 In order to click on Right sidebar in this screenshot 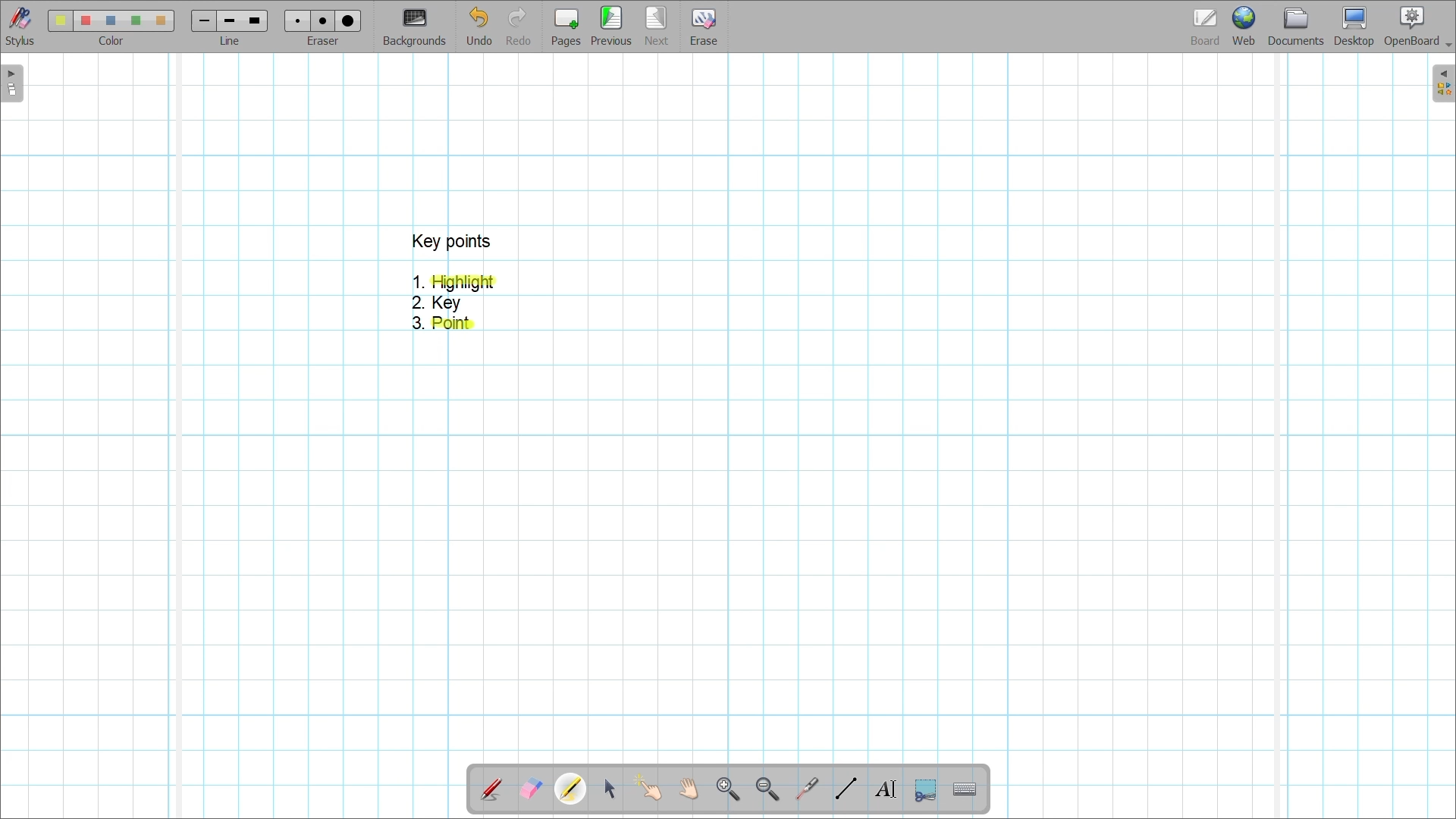, I will do `click(1443, 83)`.